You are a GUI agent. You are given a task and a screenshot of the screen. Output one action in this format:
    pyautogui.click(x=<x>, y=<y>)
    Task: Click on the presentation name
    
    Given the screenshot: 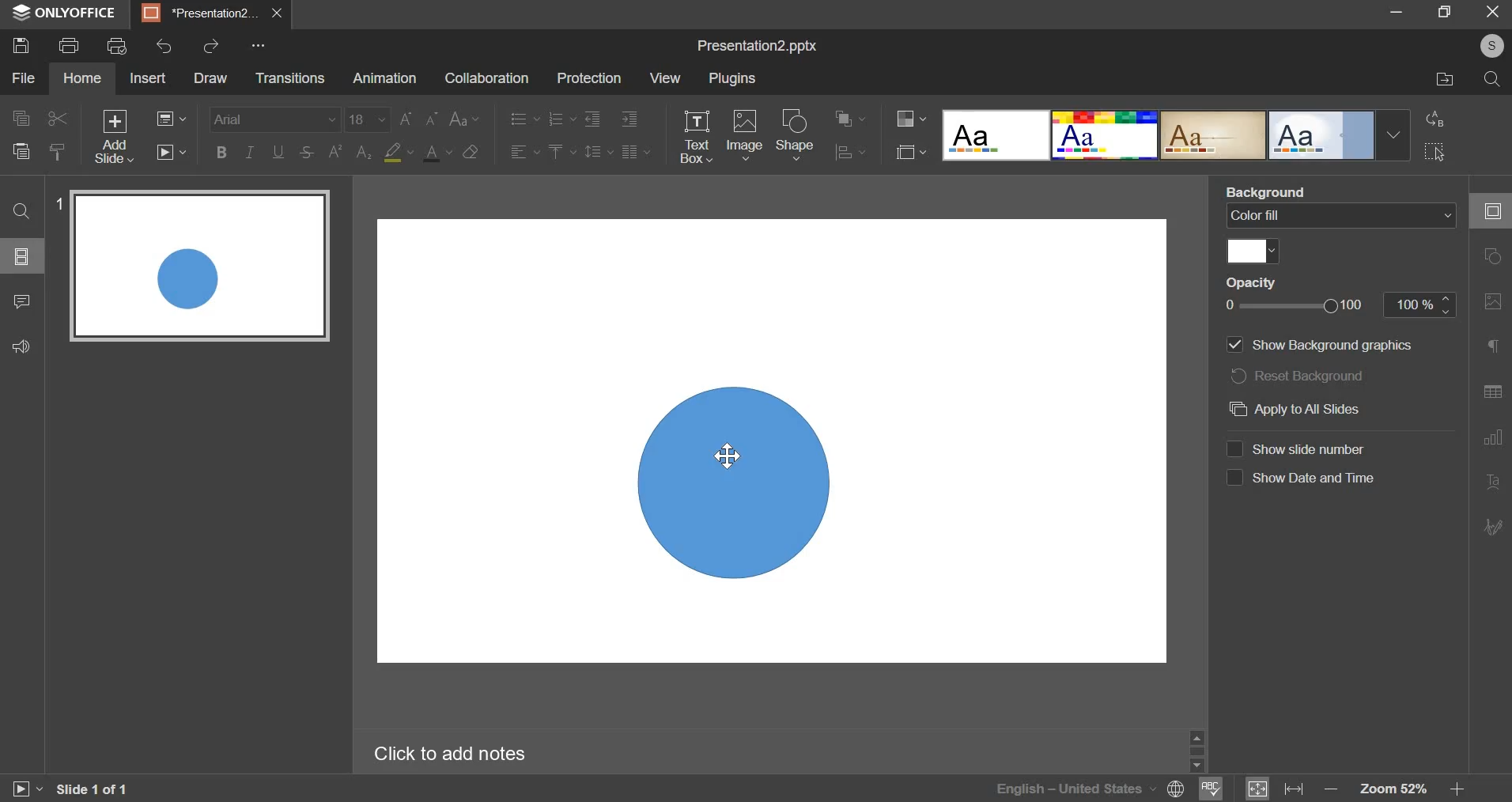 What is the action you would take?
    pyautogui.click(x=756, y=45)
    